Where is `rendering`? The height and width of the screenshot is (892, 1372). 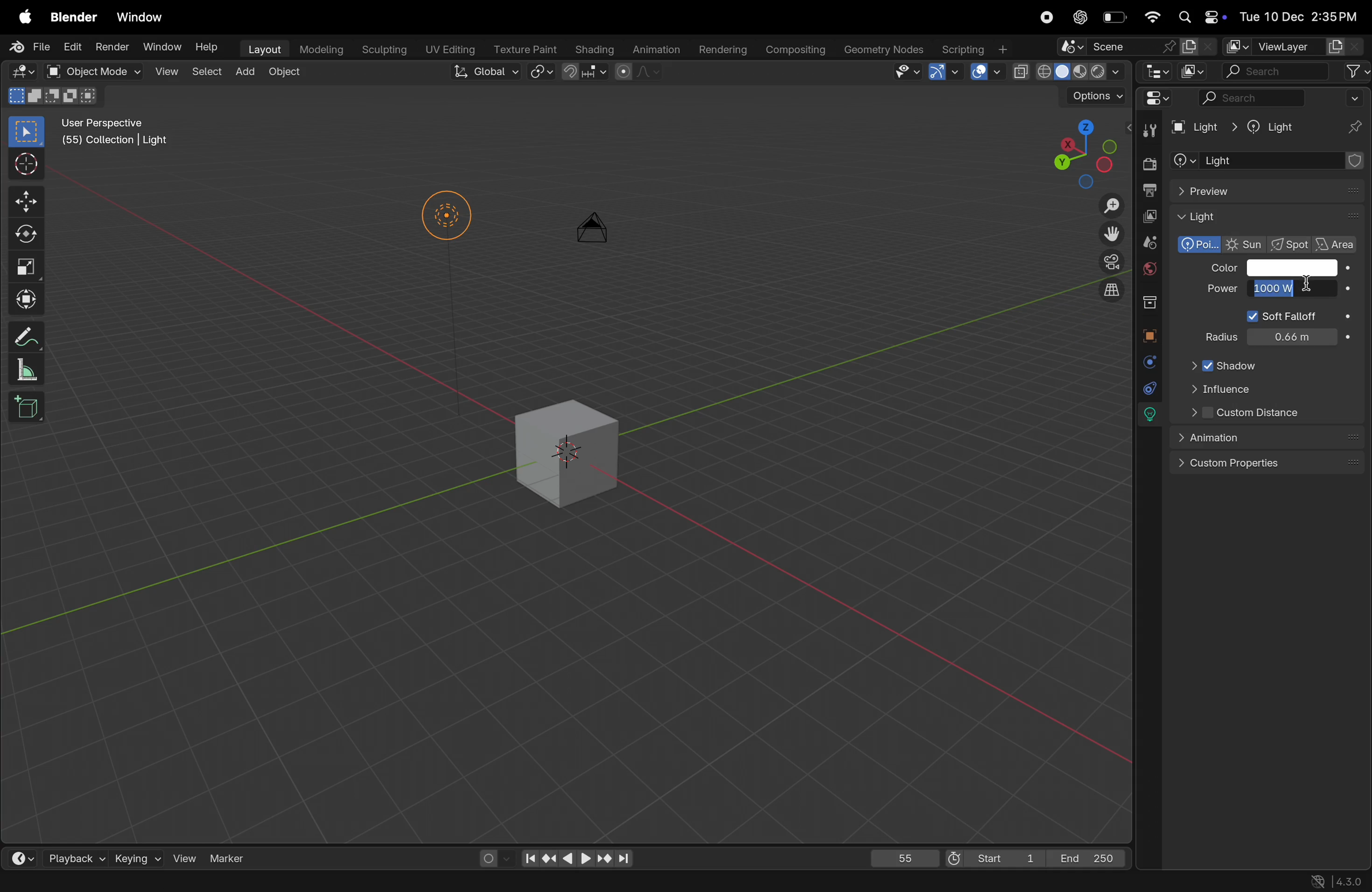 rendering is located at coordinates (722, 46).